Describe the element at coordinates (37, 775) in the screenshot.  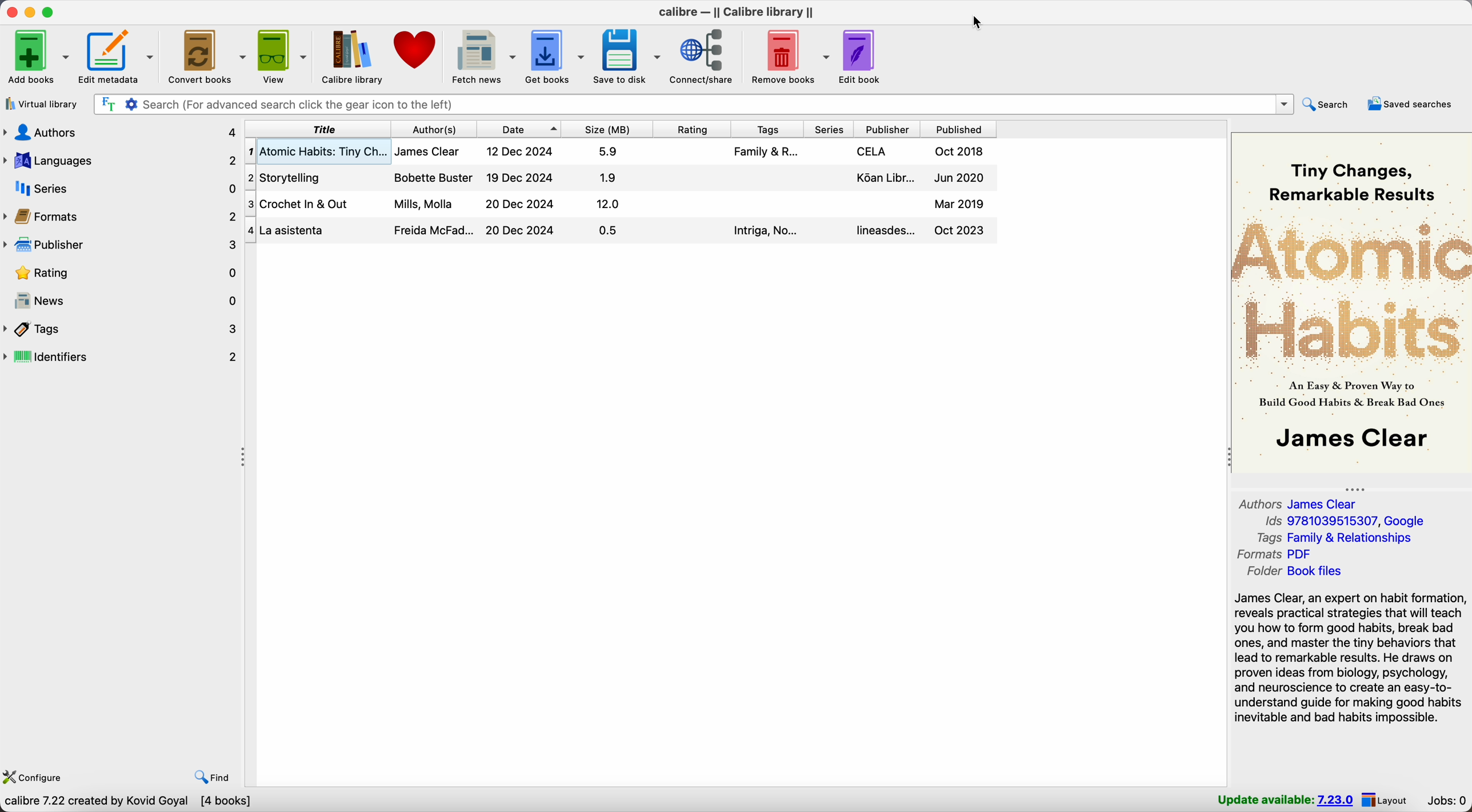
I see `configure` at that location.